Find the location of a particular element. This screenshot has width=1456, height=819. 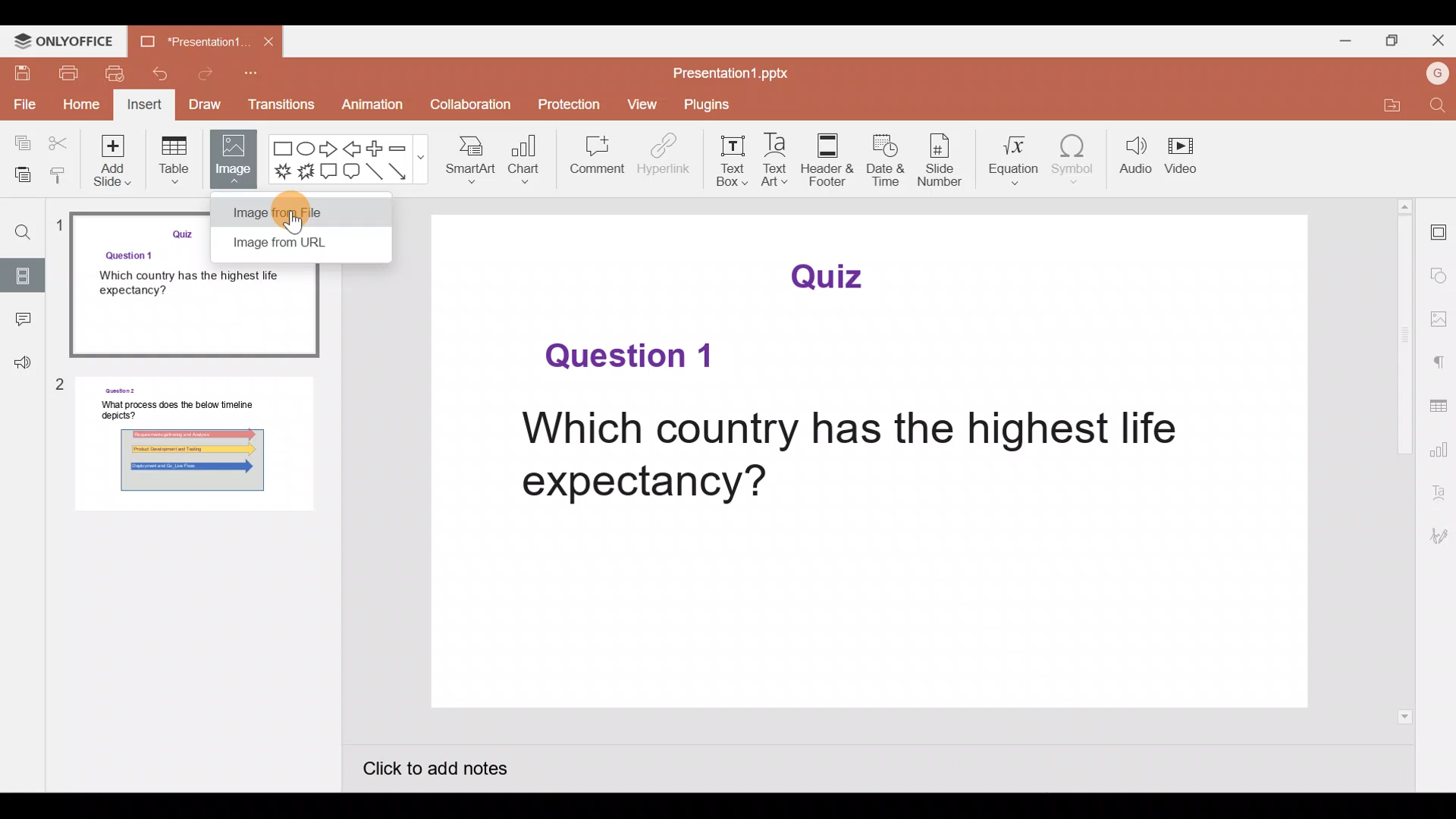

Right arrow is located at coordinates (331, 150).